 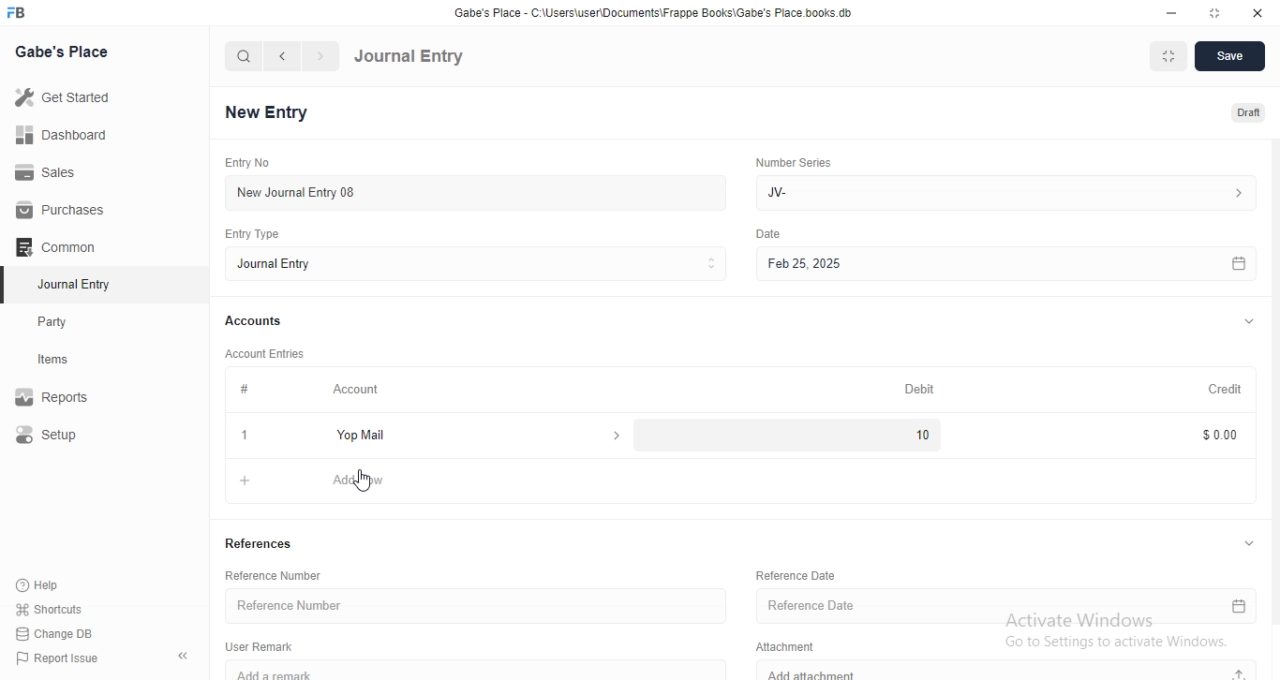 What do you see at coordinates (61, 52) in the screenshot?
I see `Gabe's Place` at bounding box center [61, 52].